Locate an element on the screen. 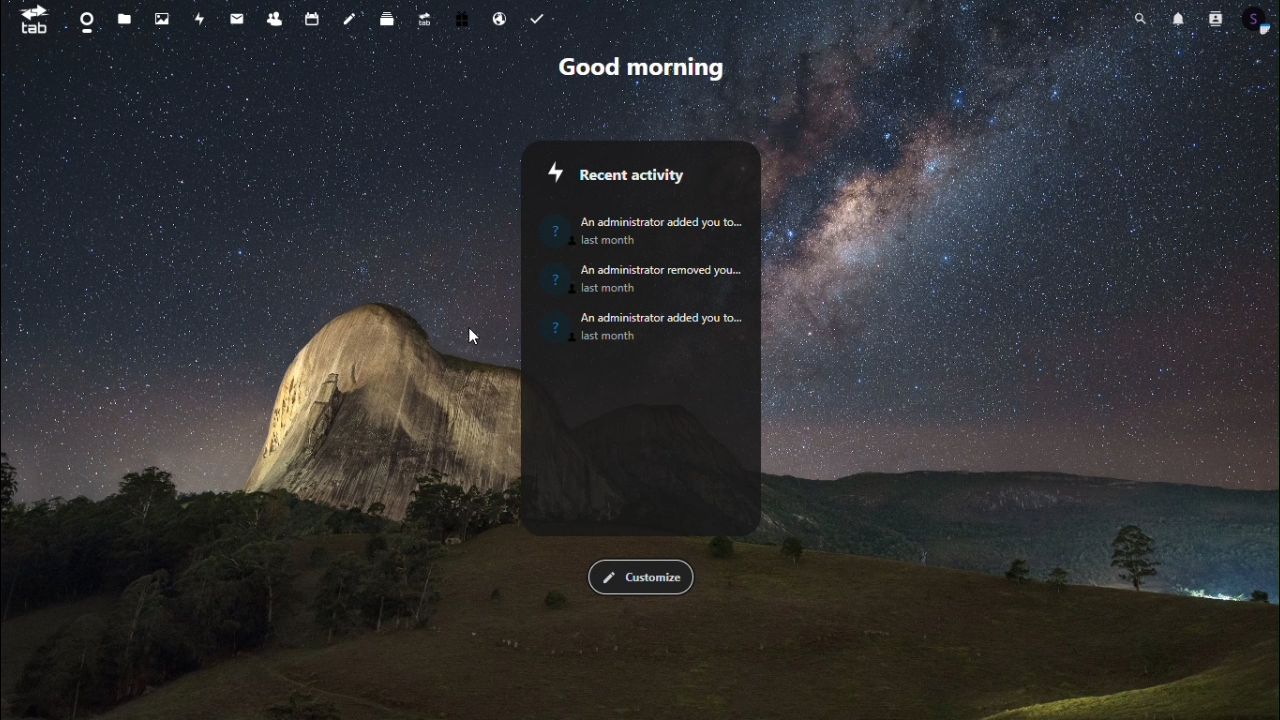  note is located at coordinates (351, 22).